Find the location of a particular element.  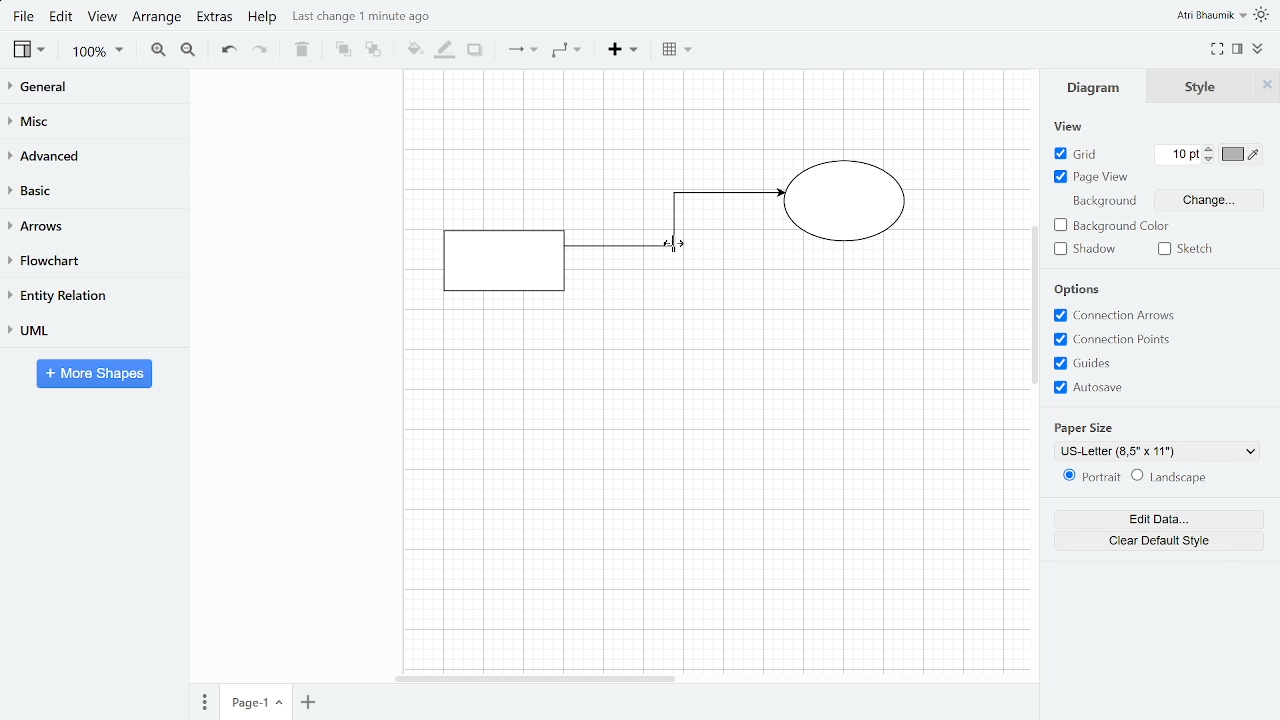

Arrange is located at coordinates (158, 19).